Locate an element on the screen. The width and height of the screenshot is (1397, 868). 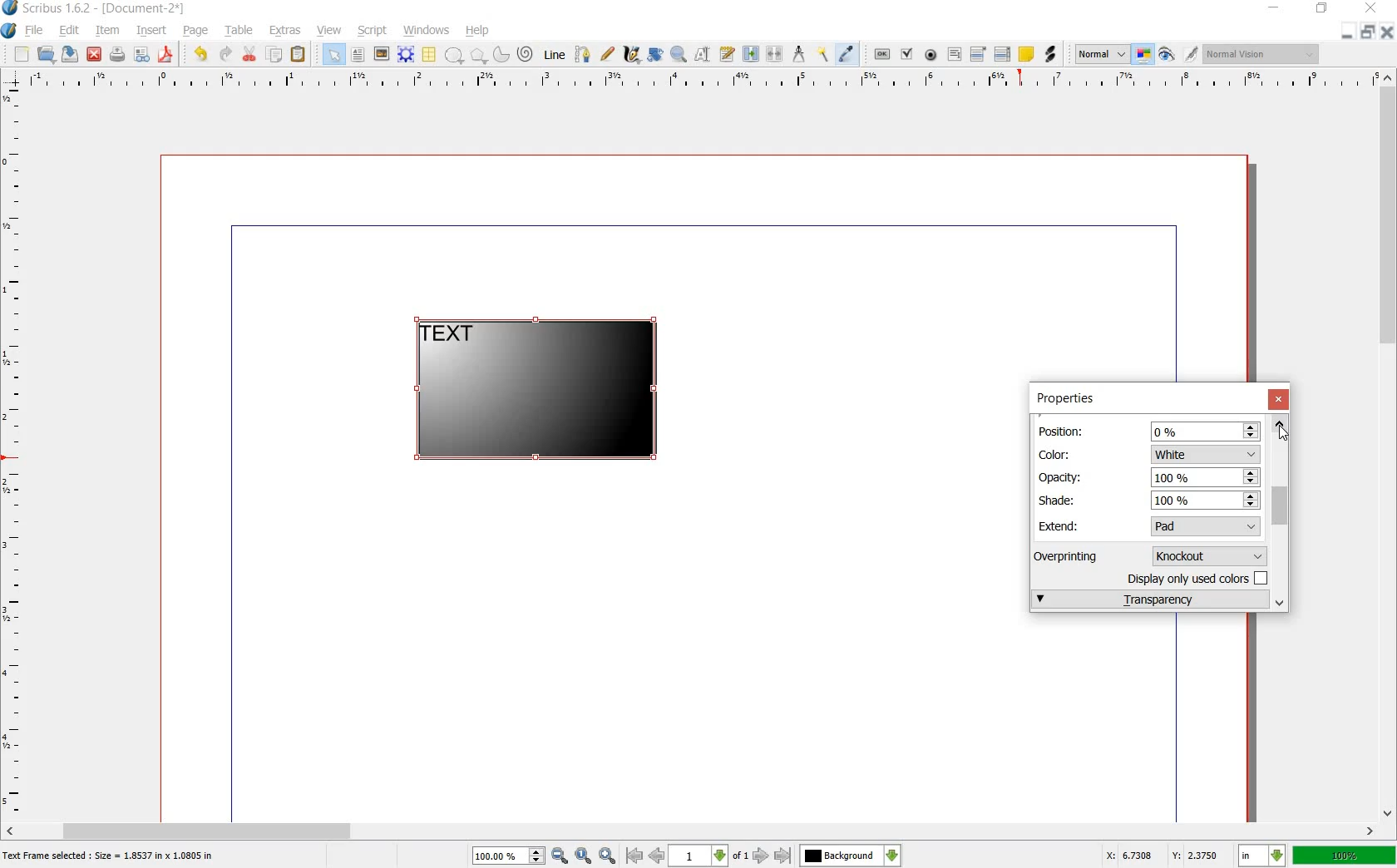
display only used colors is located at coordinates (1199, 577).